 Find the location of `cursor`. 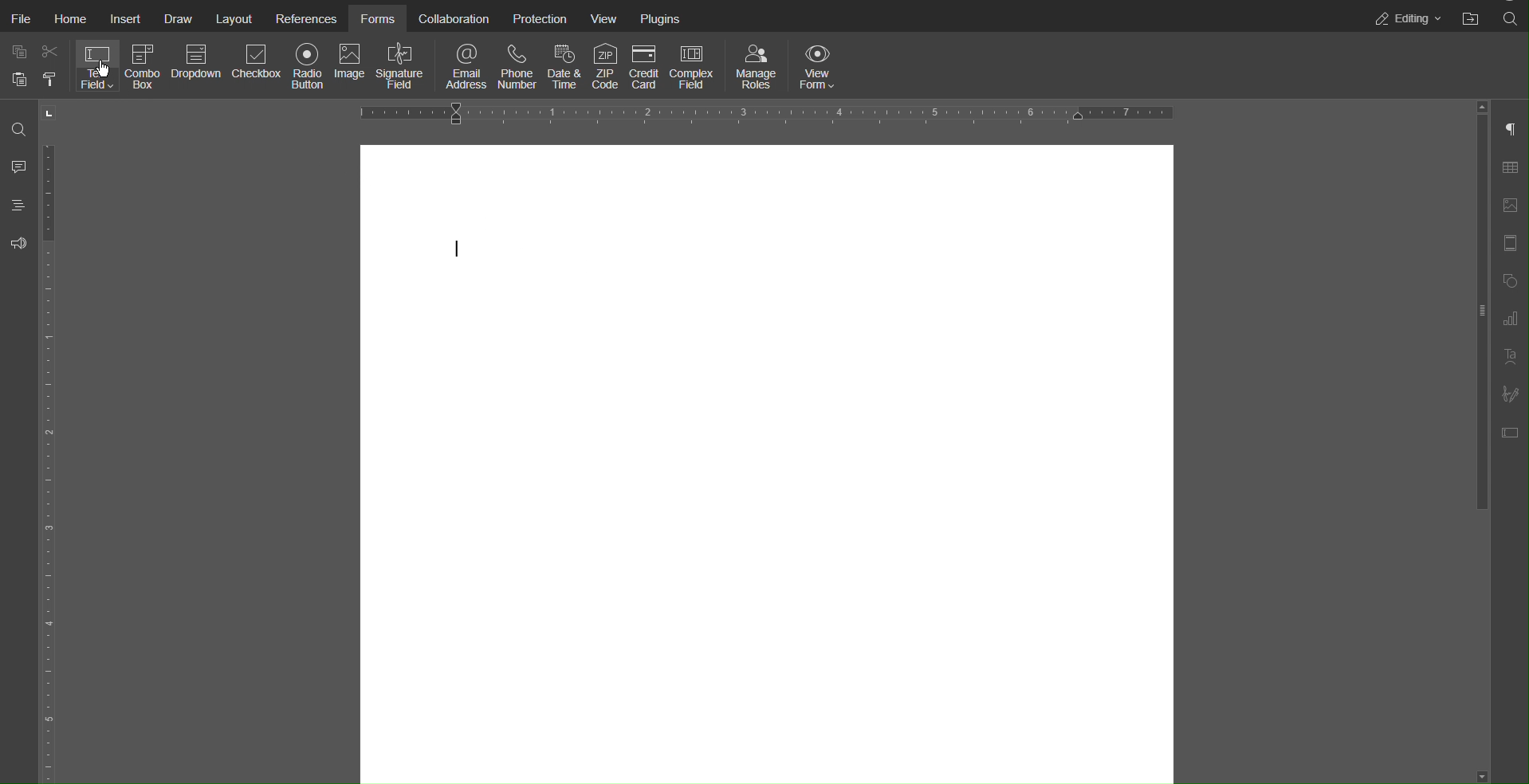

cursor is located at coordinates (454, 245).